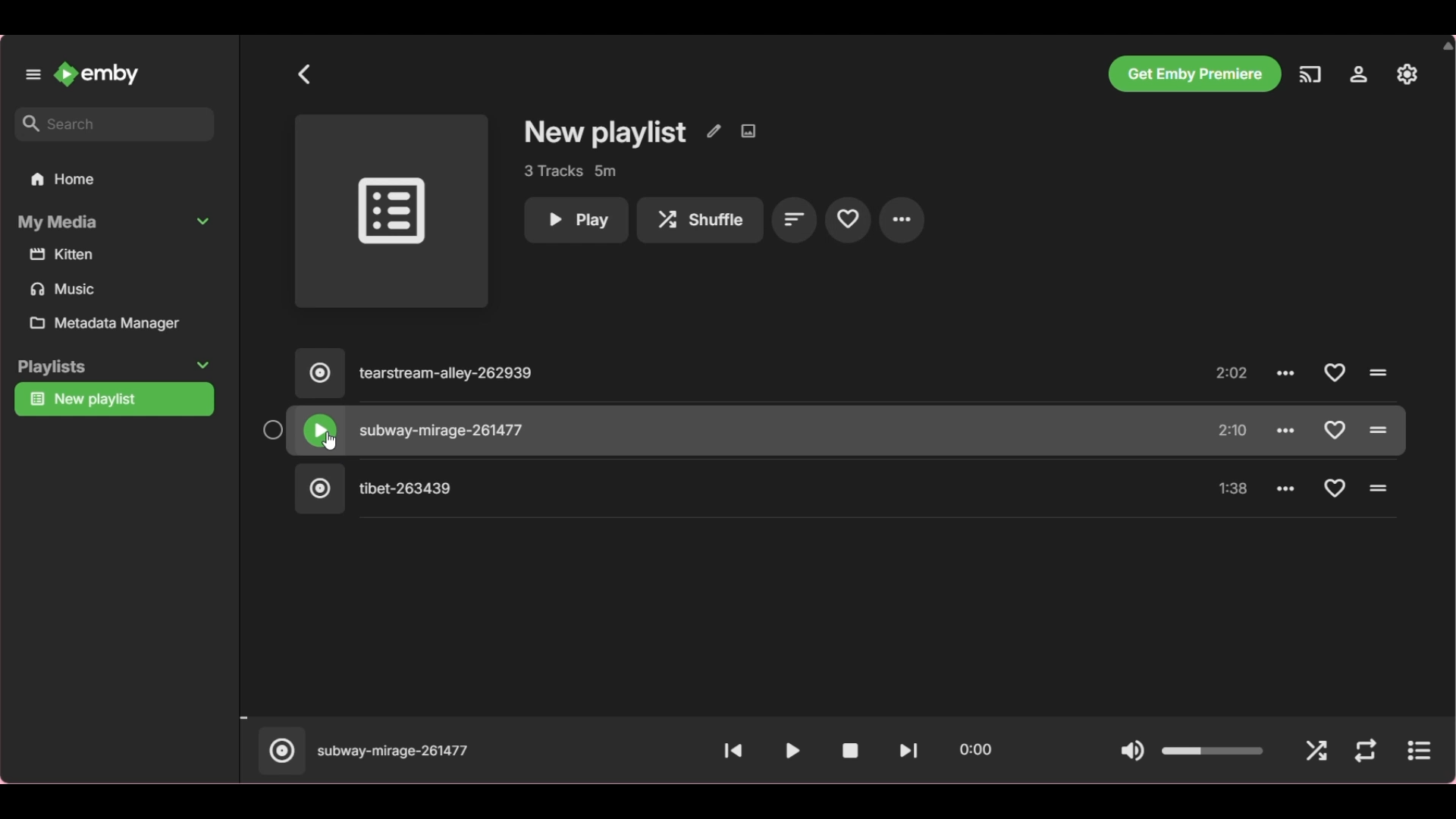  I want to click on Play on another device, so click(1310, 74).